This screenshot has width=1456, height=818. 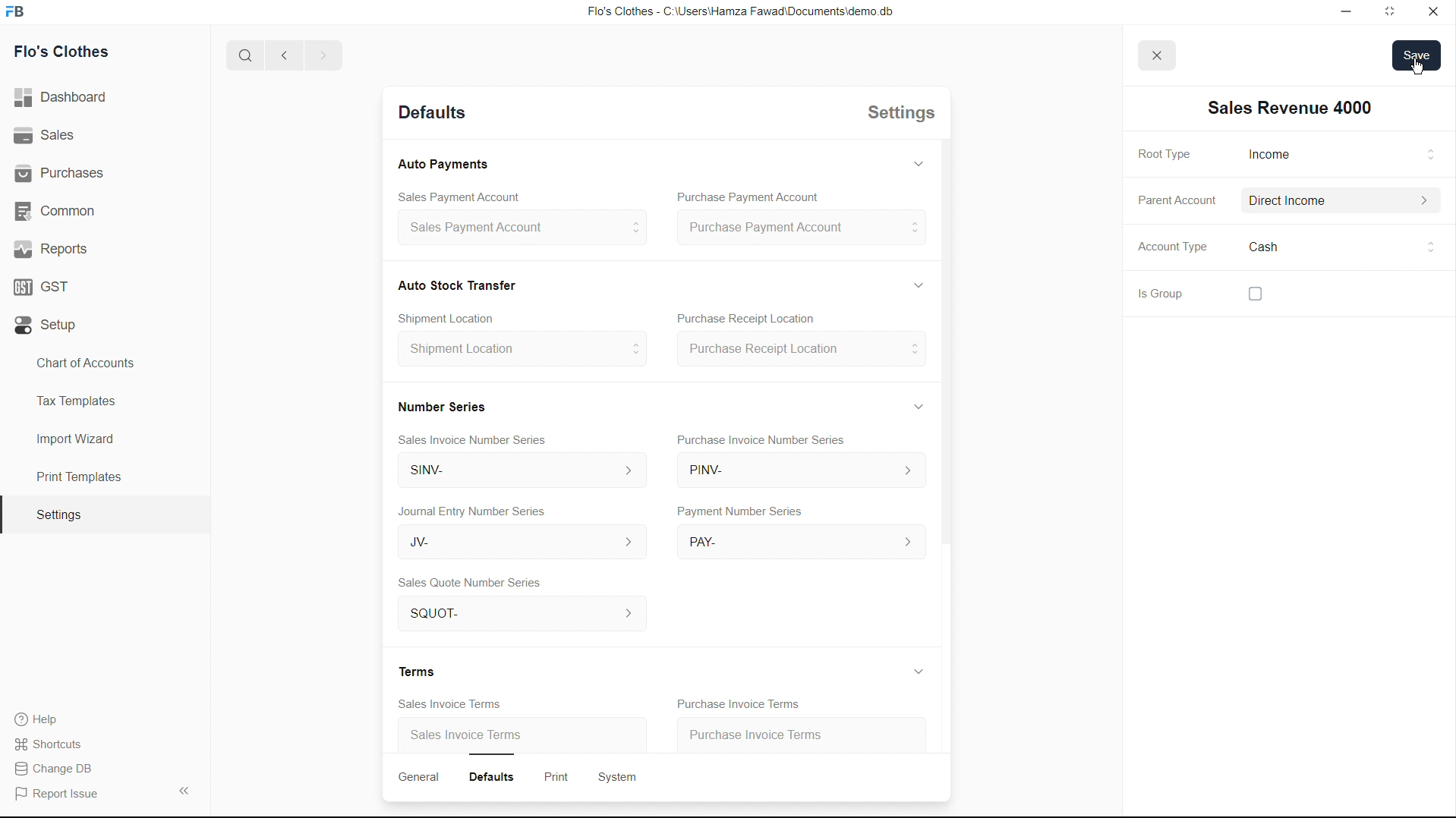 What do you see at coordinates (66, 98) in the screenshot?
I see `Dashboard` at bounding box center [66, 98].